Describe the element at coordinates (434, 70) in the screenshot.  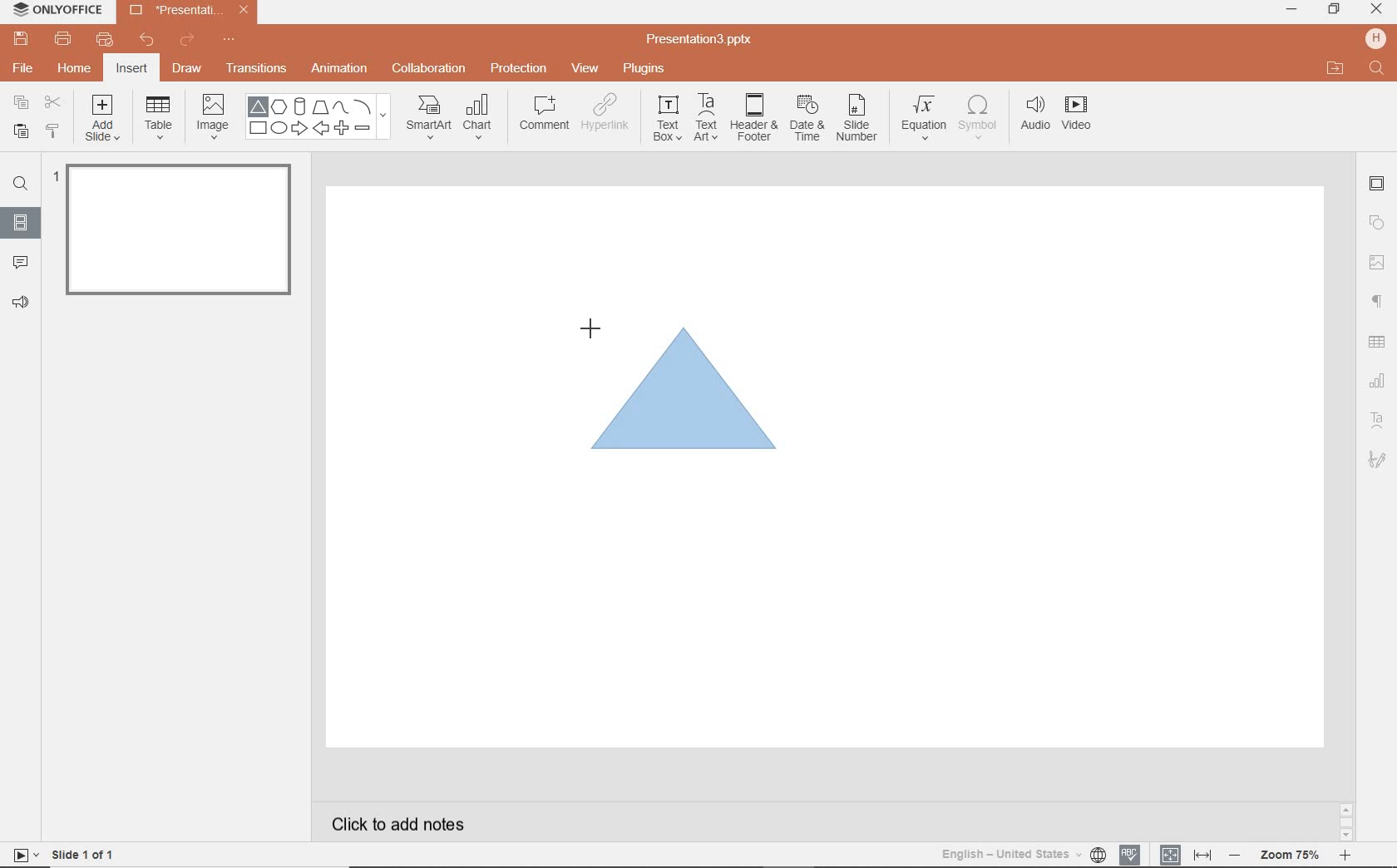
I see `COLLABORATION` at that location.